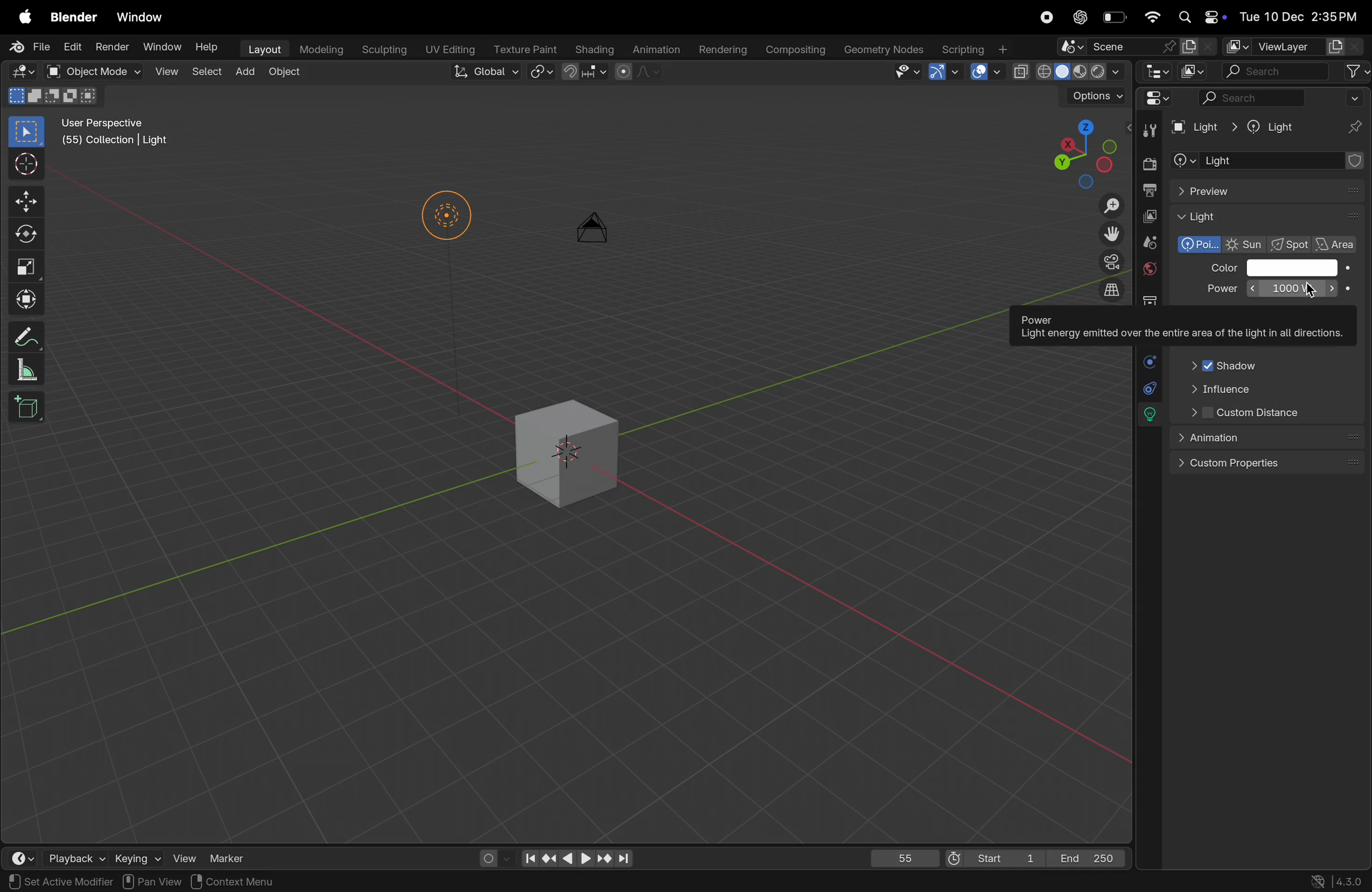  I want to click on Window, so click(161, 47).